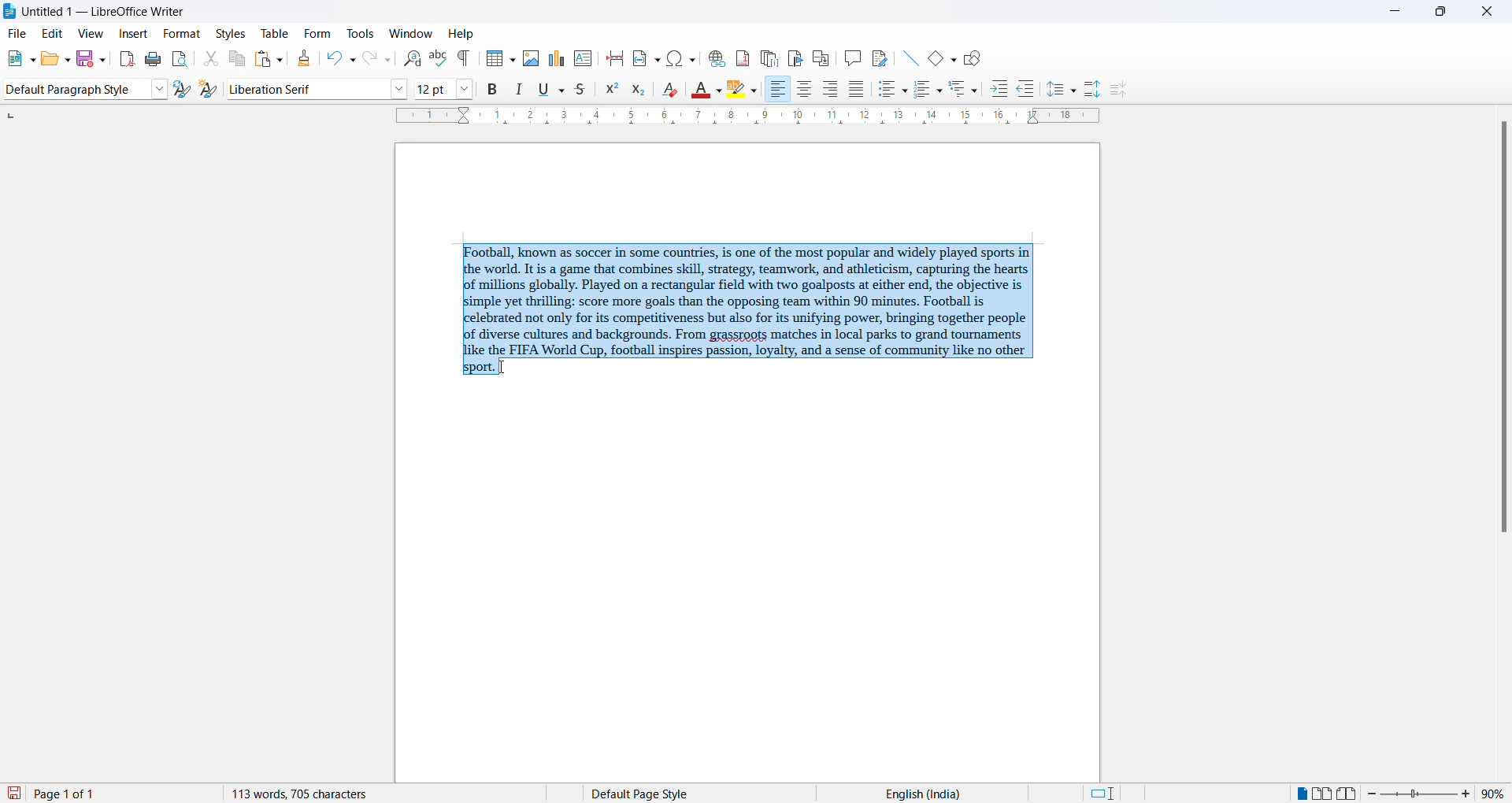 The image size is (1512, 803). Describe the element at coordinates (210, 57) in the screenshot. I see `cut` at that location.